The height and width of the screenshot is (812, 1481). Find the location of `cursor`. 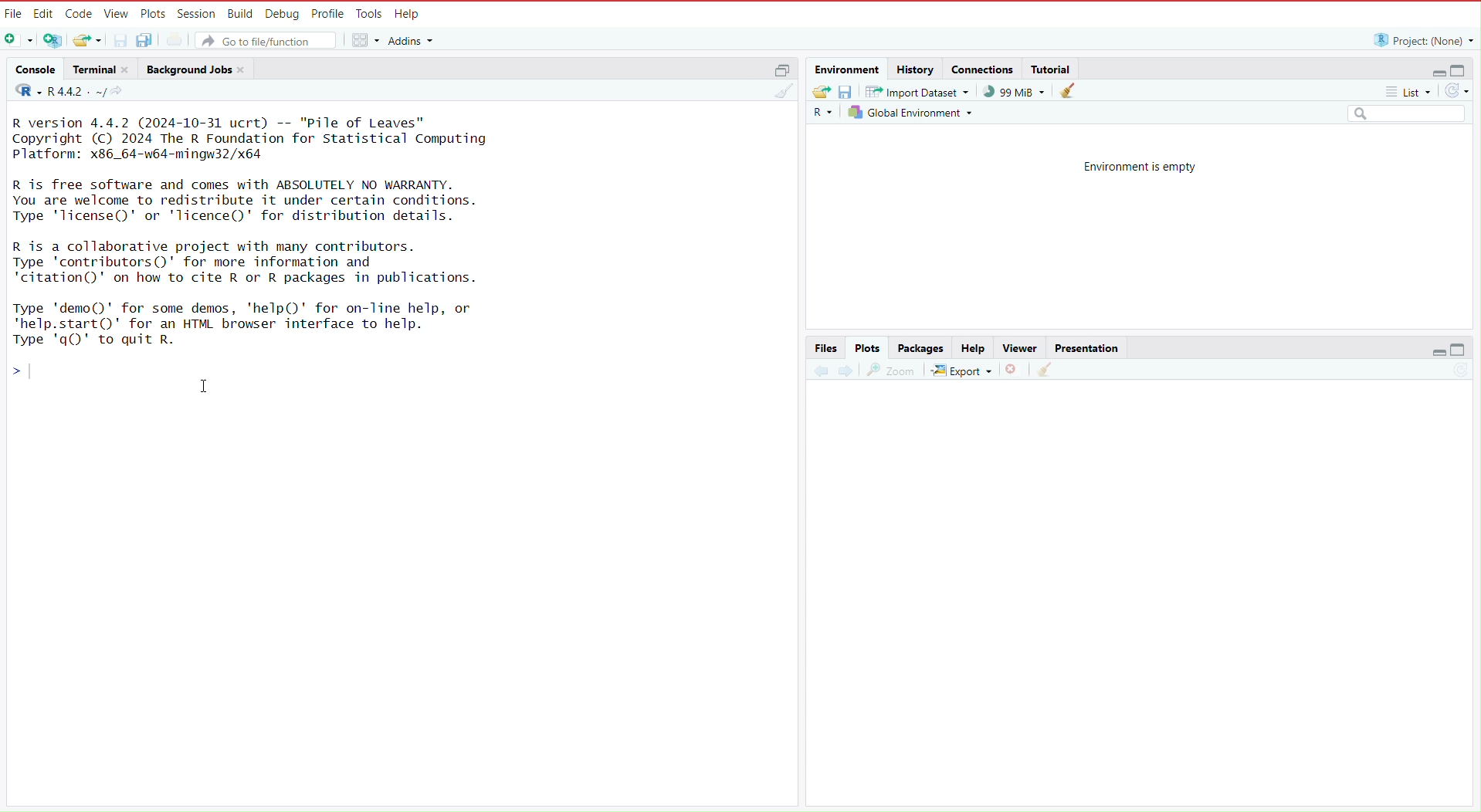

cursor is located at coordinates (202, 386).